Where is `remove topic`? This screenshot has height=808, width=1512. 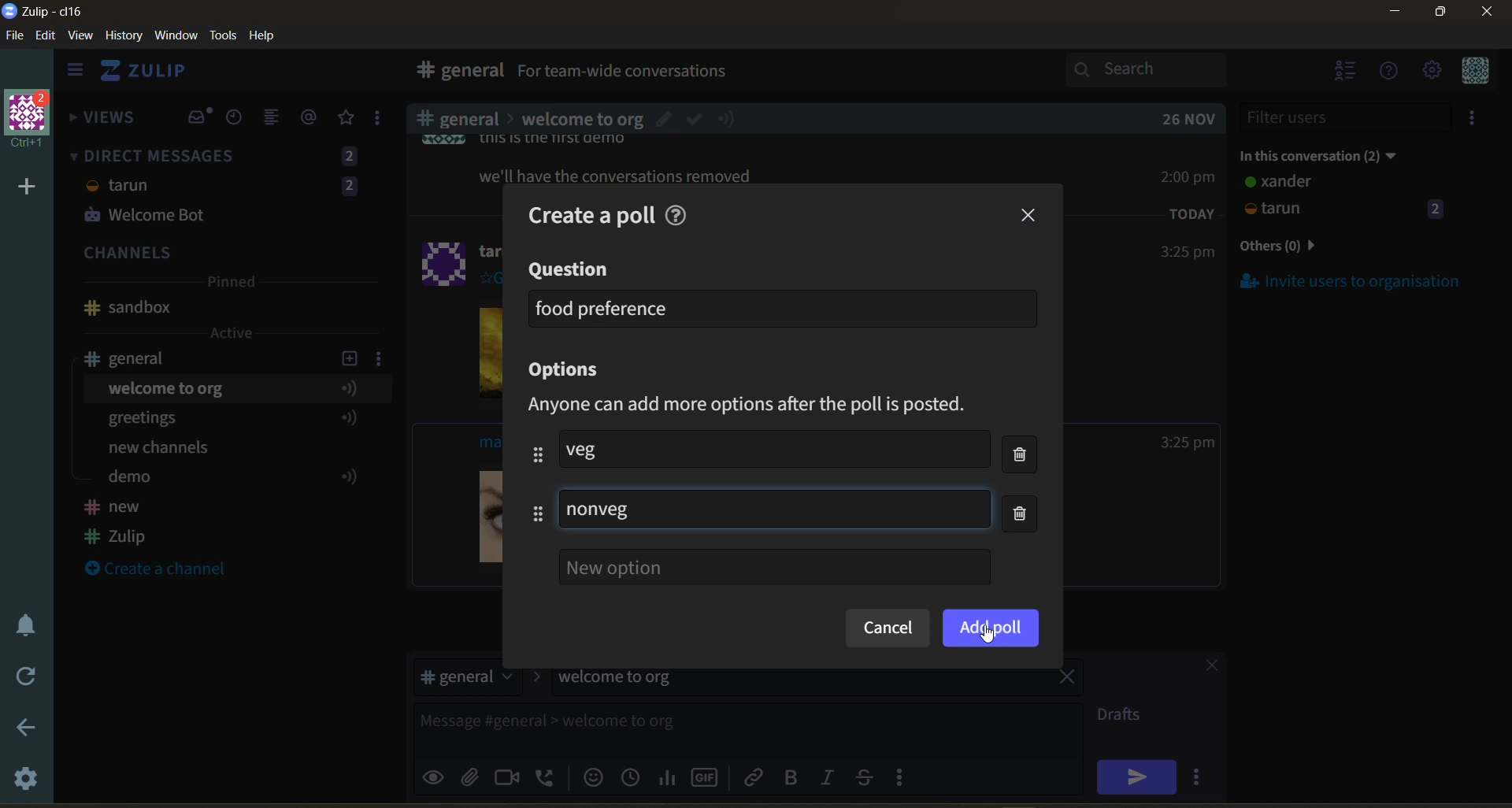 remove topic is located at coordinates (1067, 679).